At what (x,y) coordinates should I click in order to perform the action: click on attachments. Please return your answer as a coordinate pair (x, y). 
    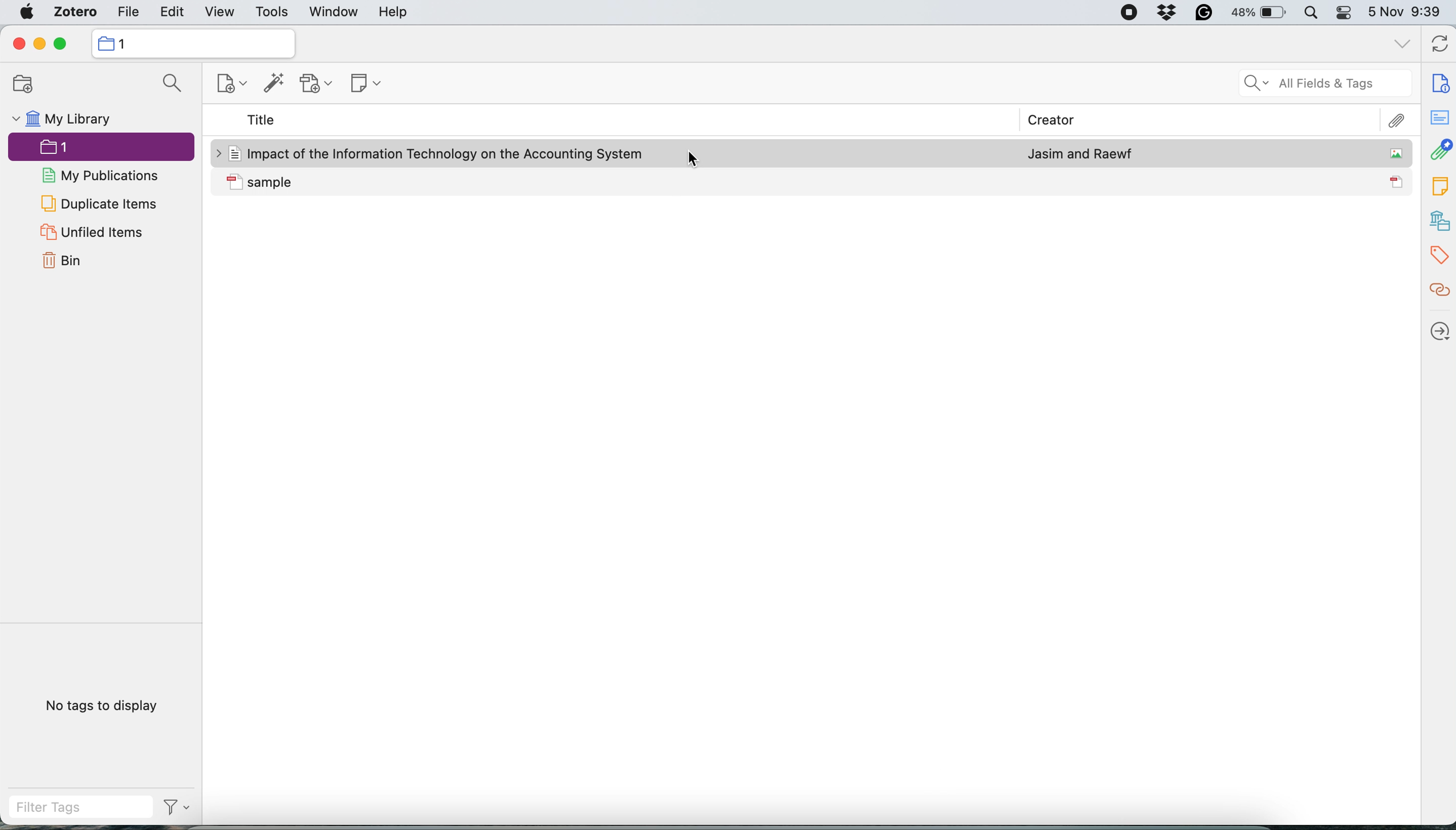
    Looking at the image, I should click on (1396, 121).